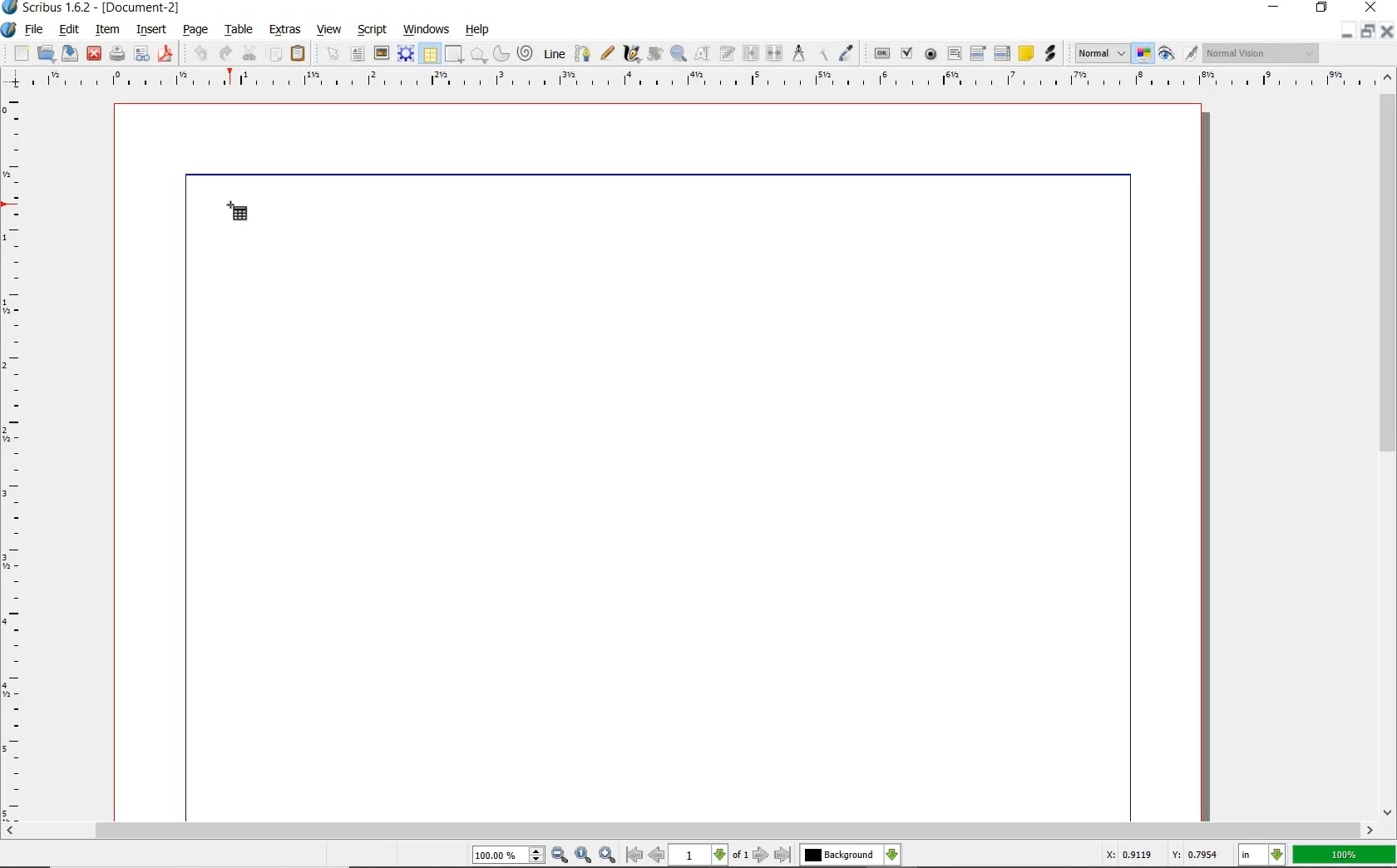  Describe the element at coordinates (36, 31) in the screenshot. I see `file` at that location.